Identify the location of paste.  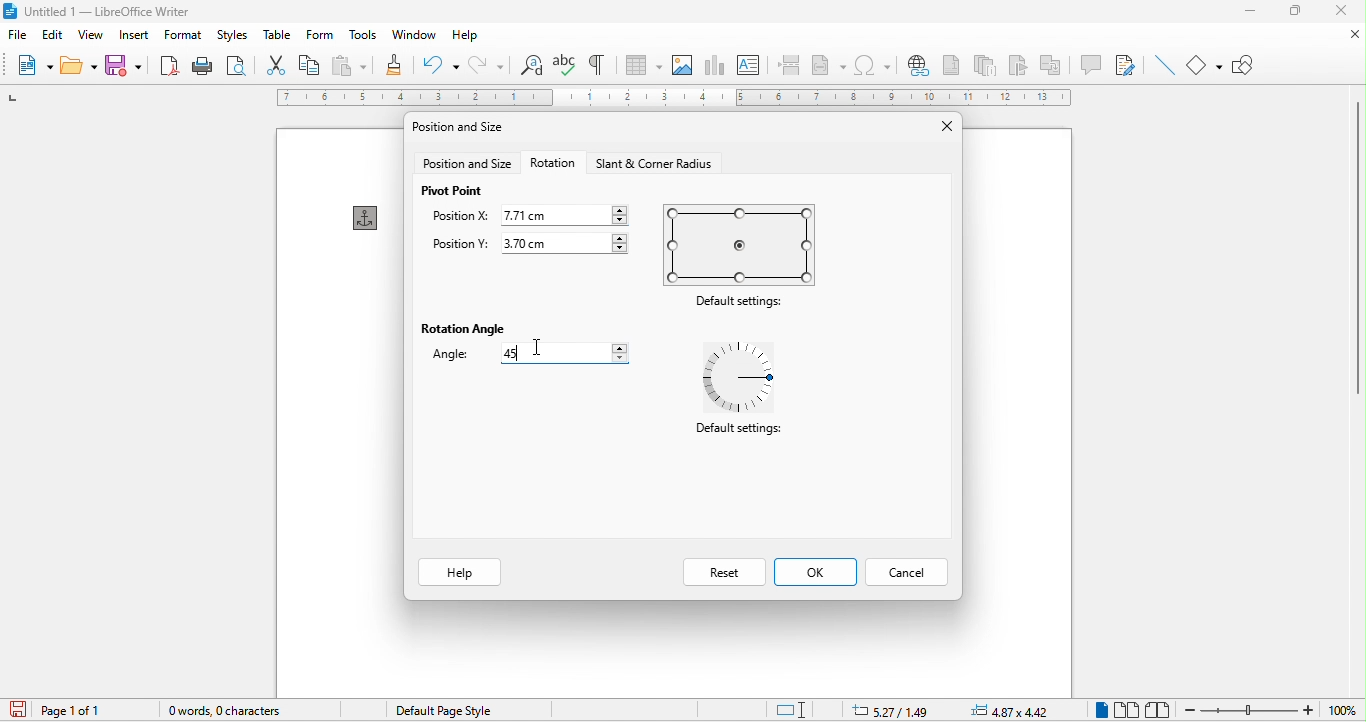
(348, 66).